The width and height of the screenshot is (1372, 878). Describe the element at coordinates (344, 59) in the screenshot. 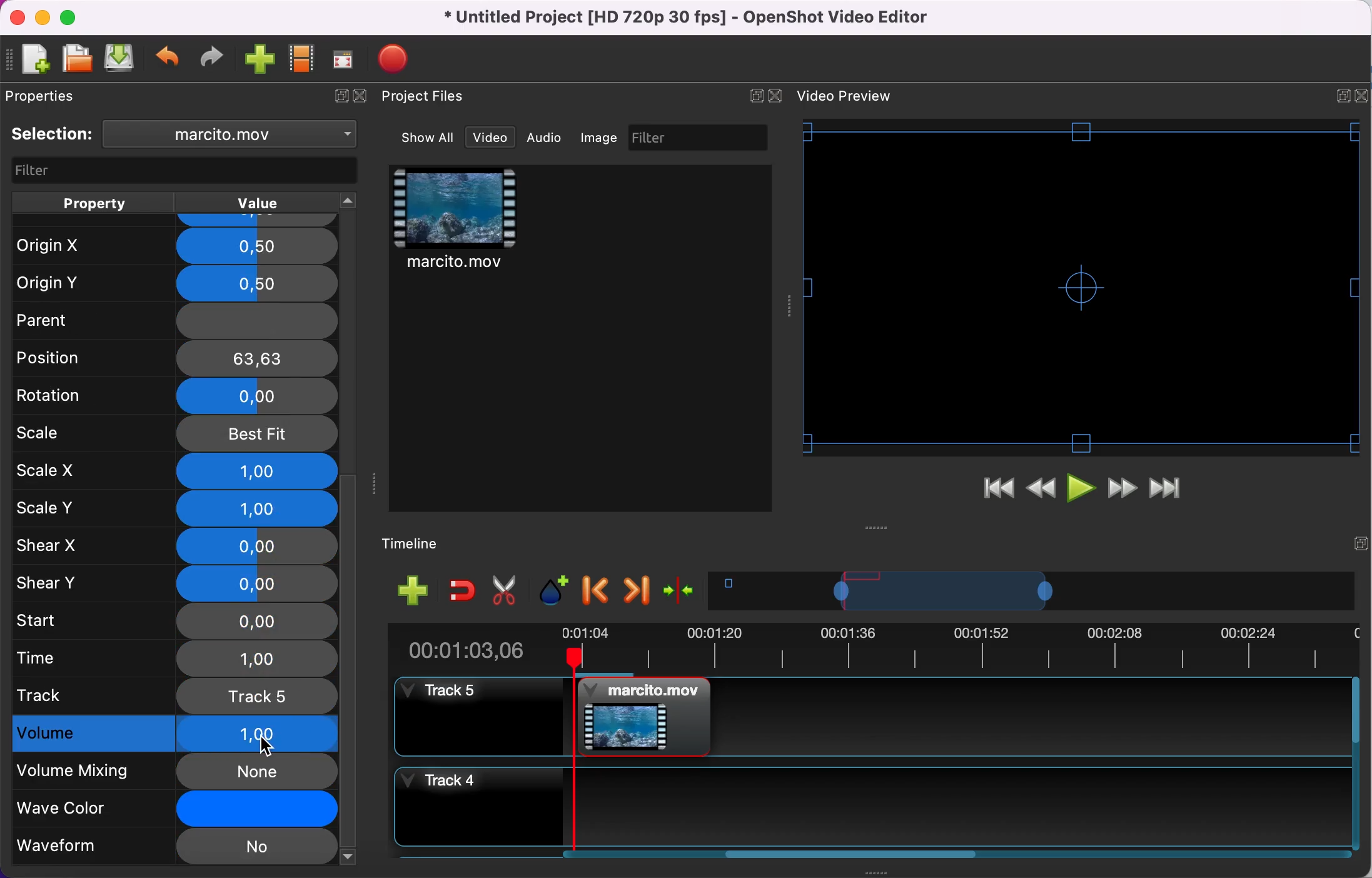

I see `fullscreen` at that location.